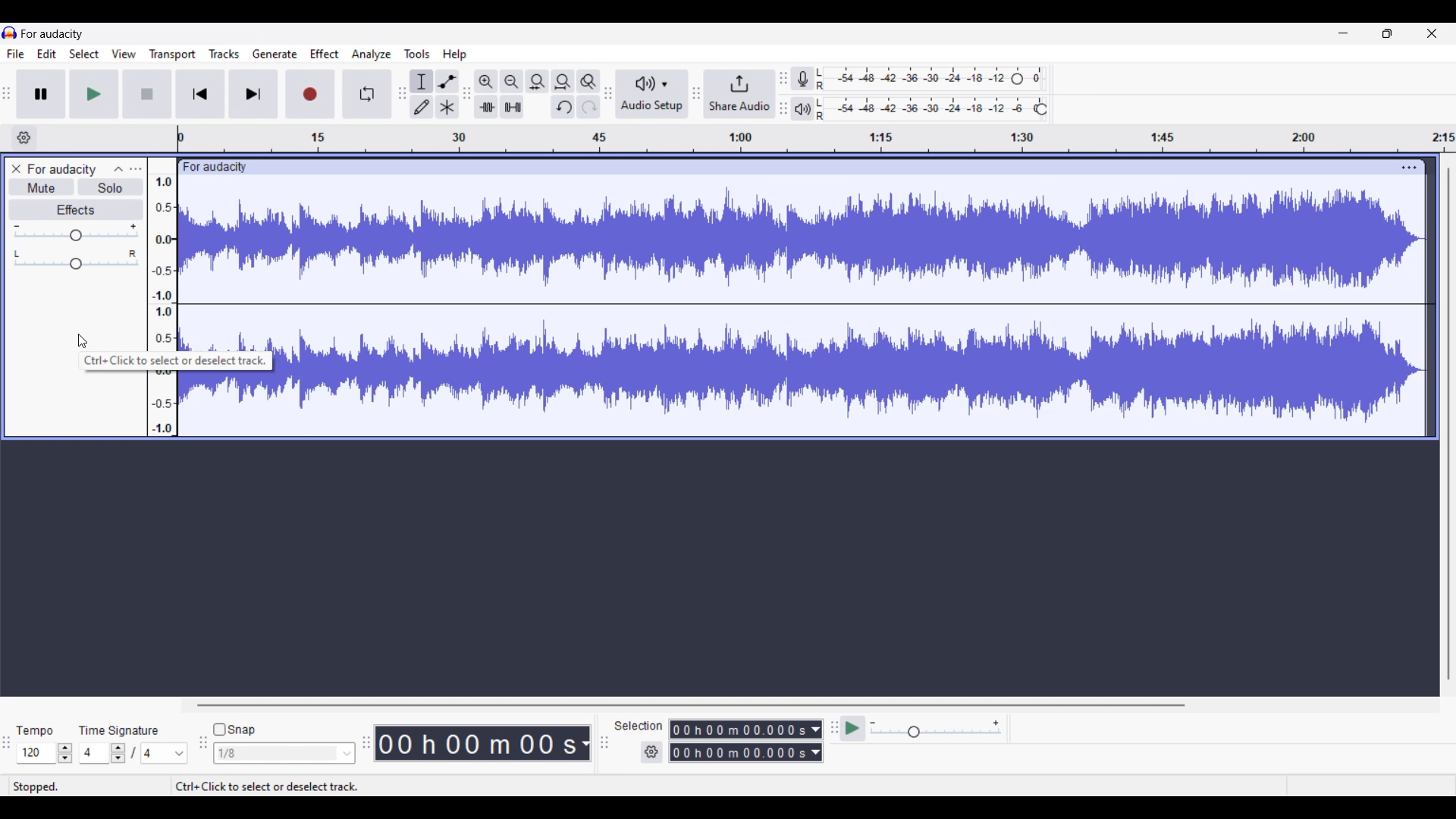 This screenshot has width=1456, height=819. What do you see at coordinates (133, 753) in the screenshot?
I see `Time signature settings` at bounding box center [133, 753].